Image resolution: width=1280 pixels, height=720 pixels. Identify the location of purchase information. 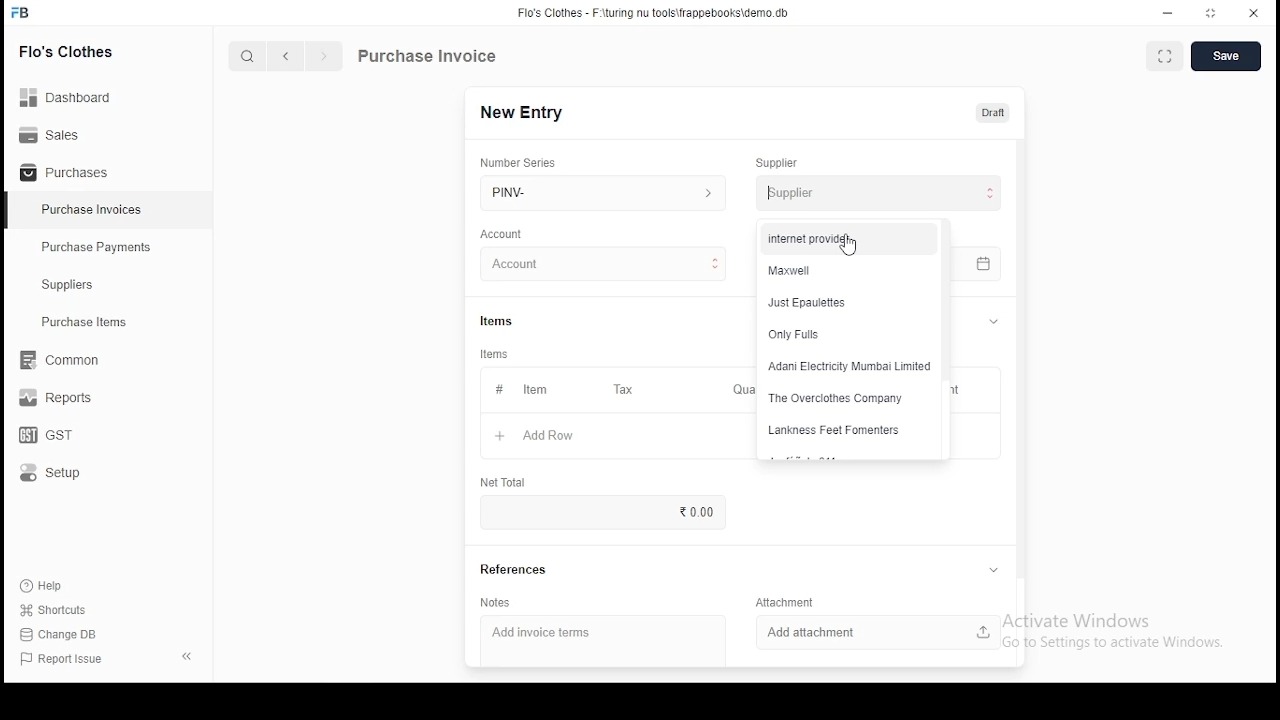
(428, 57).